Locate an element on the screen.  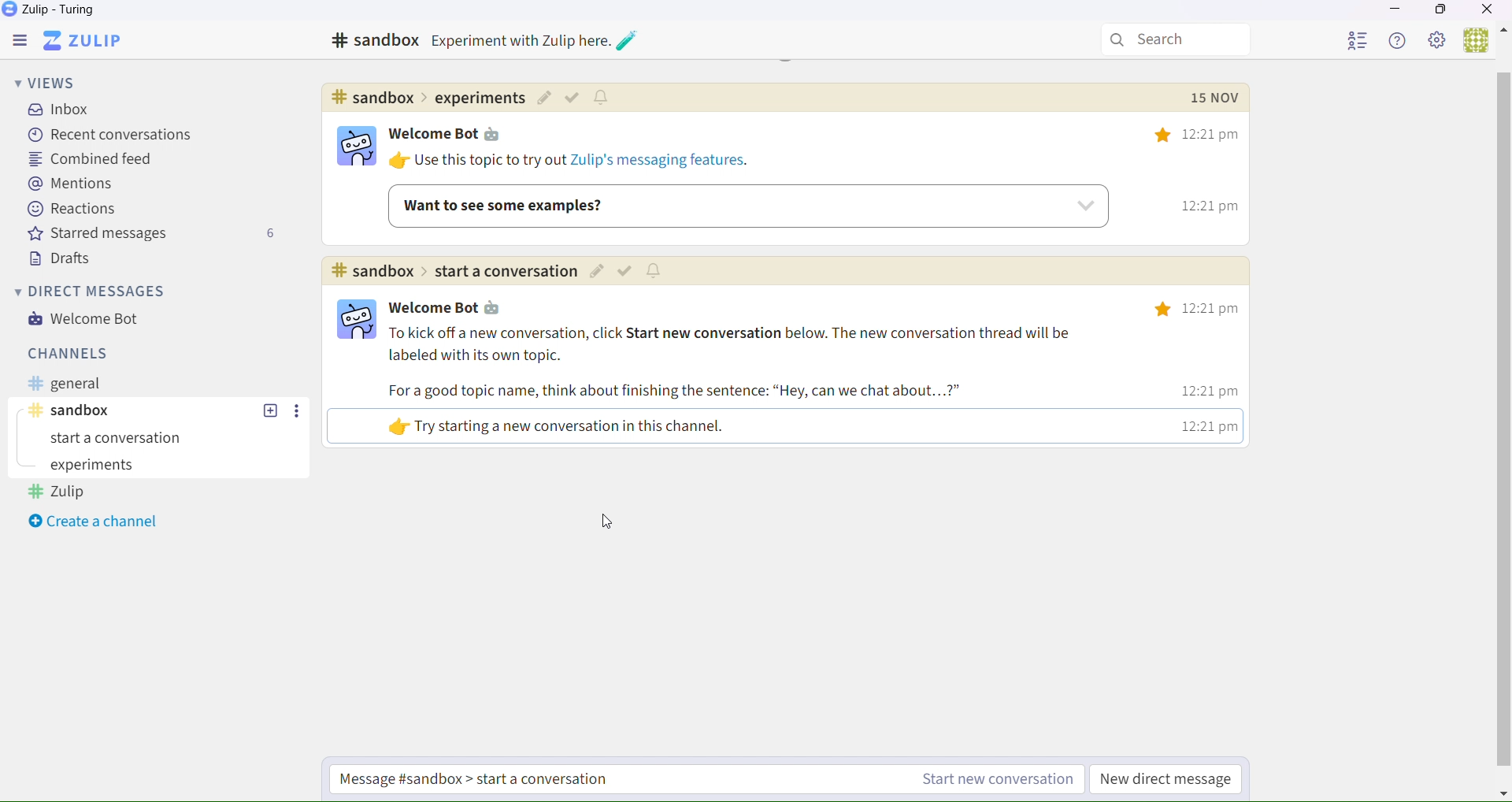
 is located at coordinates (1214, 96).